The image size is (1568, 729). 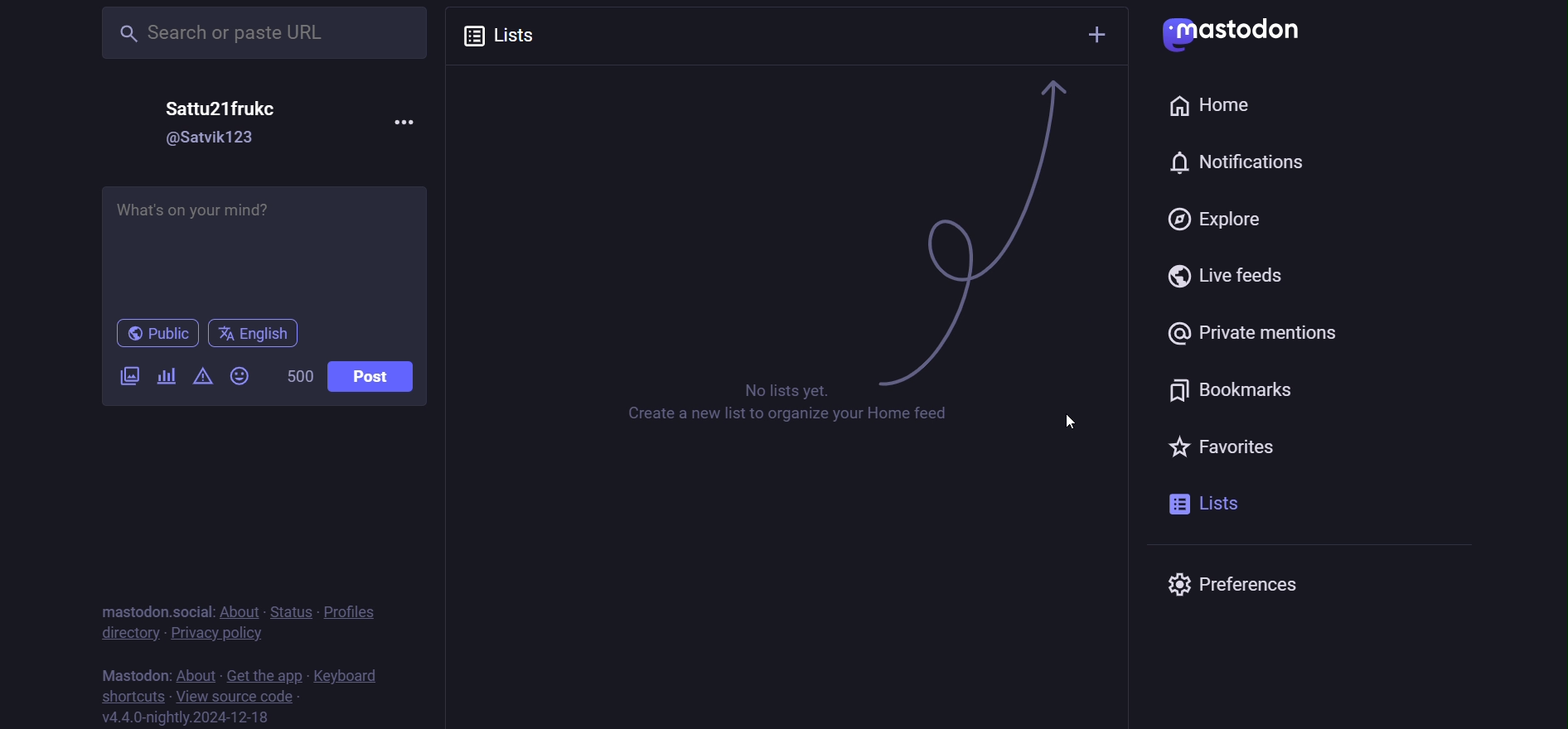 I want to click on home, so click(x=1208, y=106).